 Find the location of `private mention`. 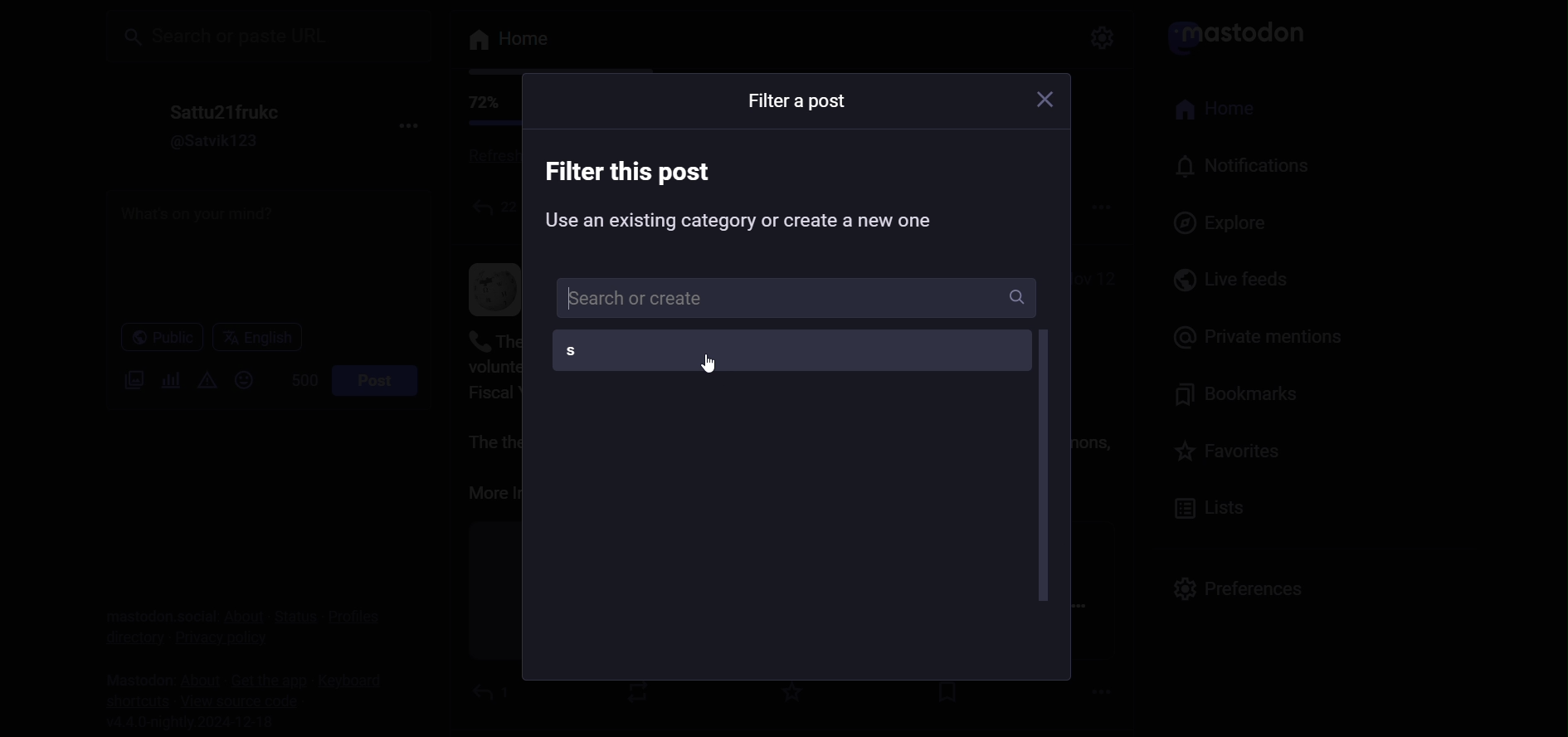

private mention is located at coordinates (1248, 334).